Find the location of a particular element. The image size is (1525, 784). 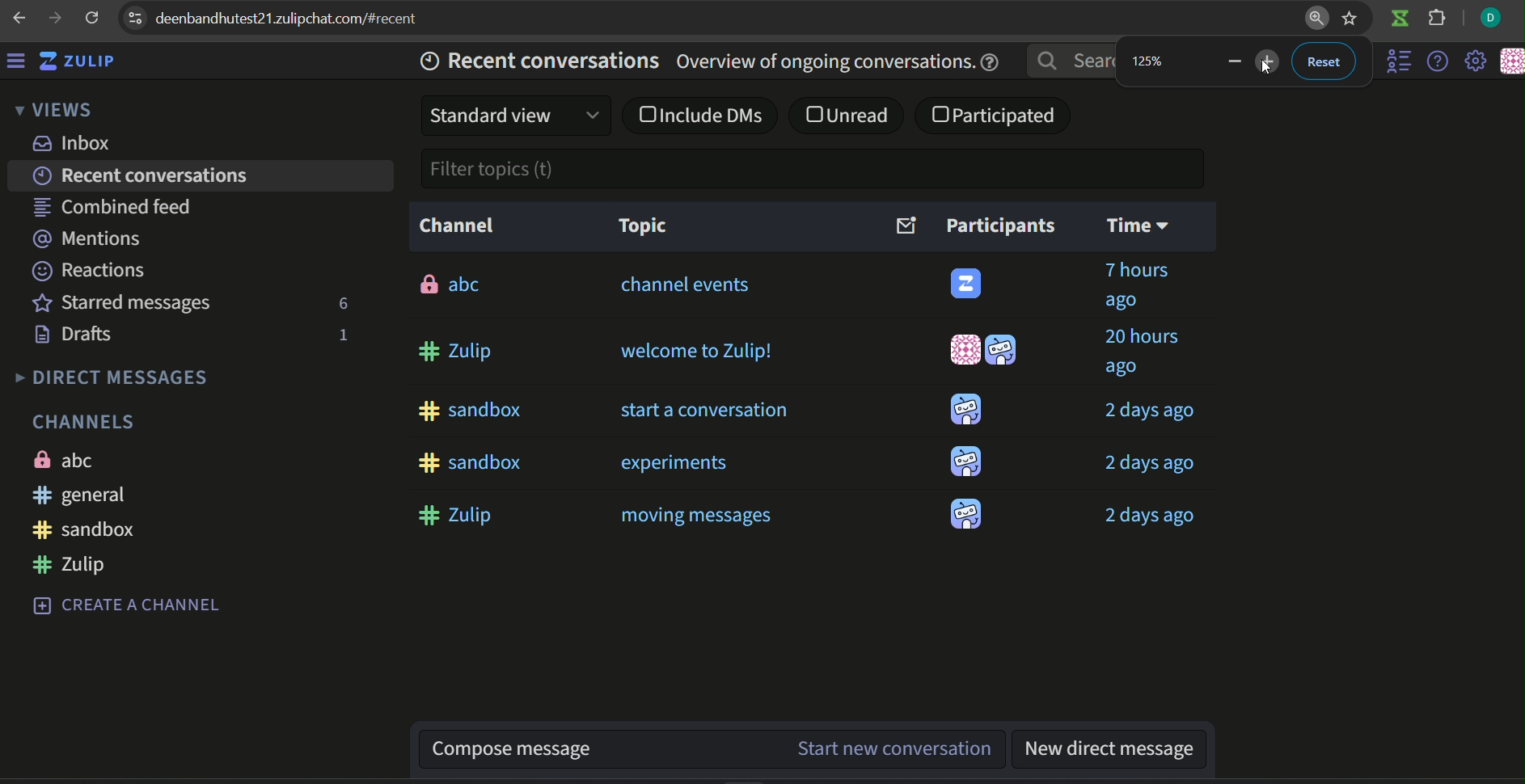

Start new conversation is located at coordinates (899, 748).